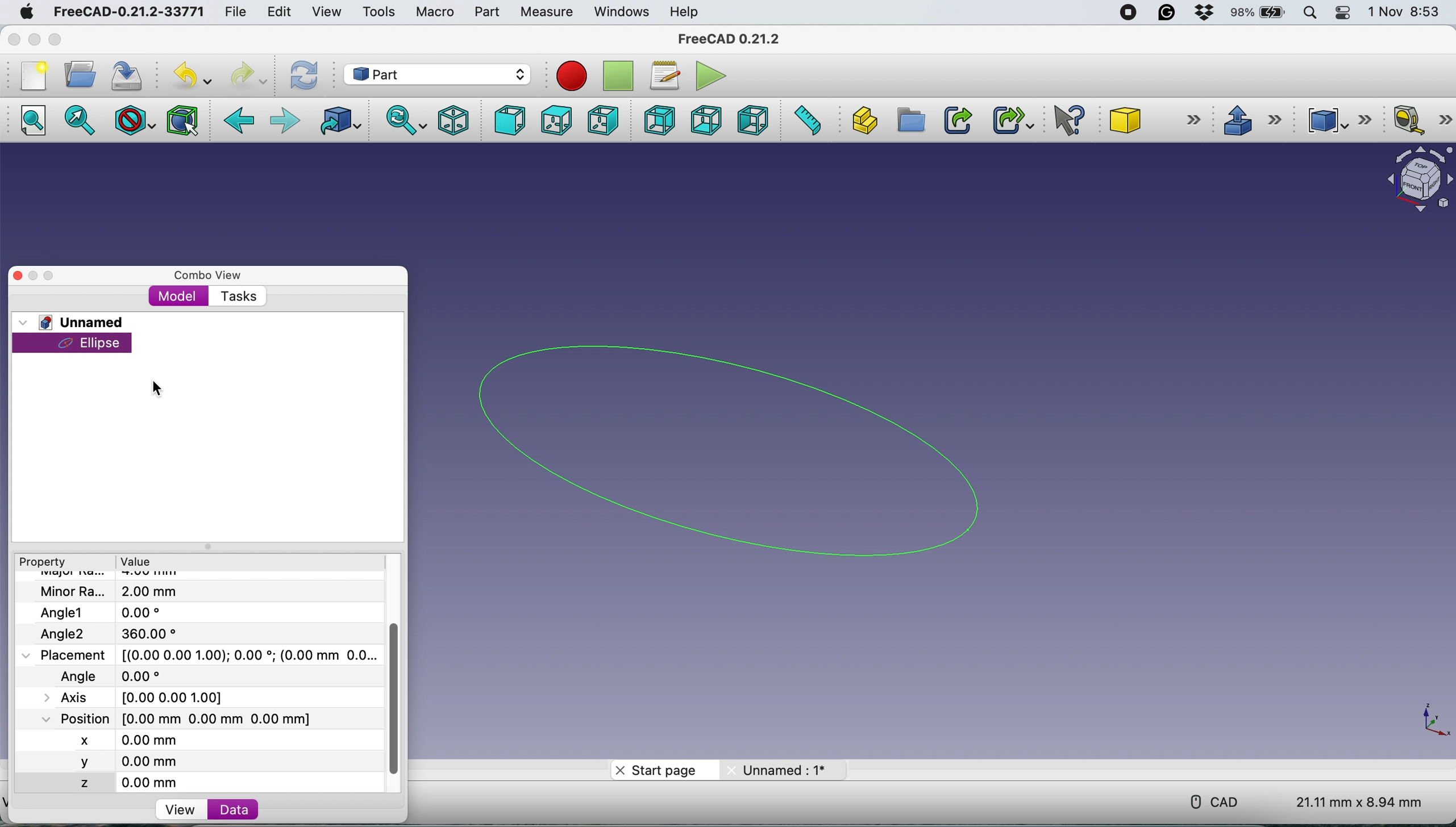 Image resolution: width=1456 pixels, height=827 pixels. I want to click on cursor, so click(160, 390).